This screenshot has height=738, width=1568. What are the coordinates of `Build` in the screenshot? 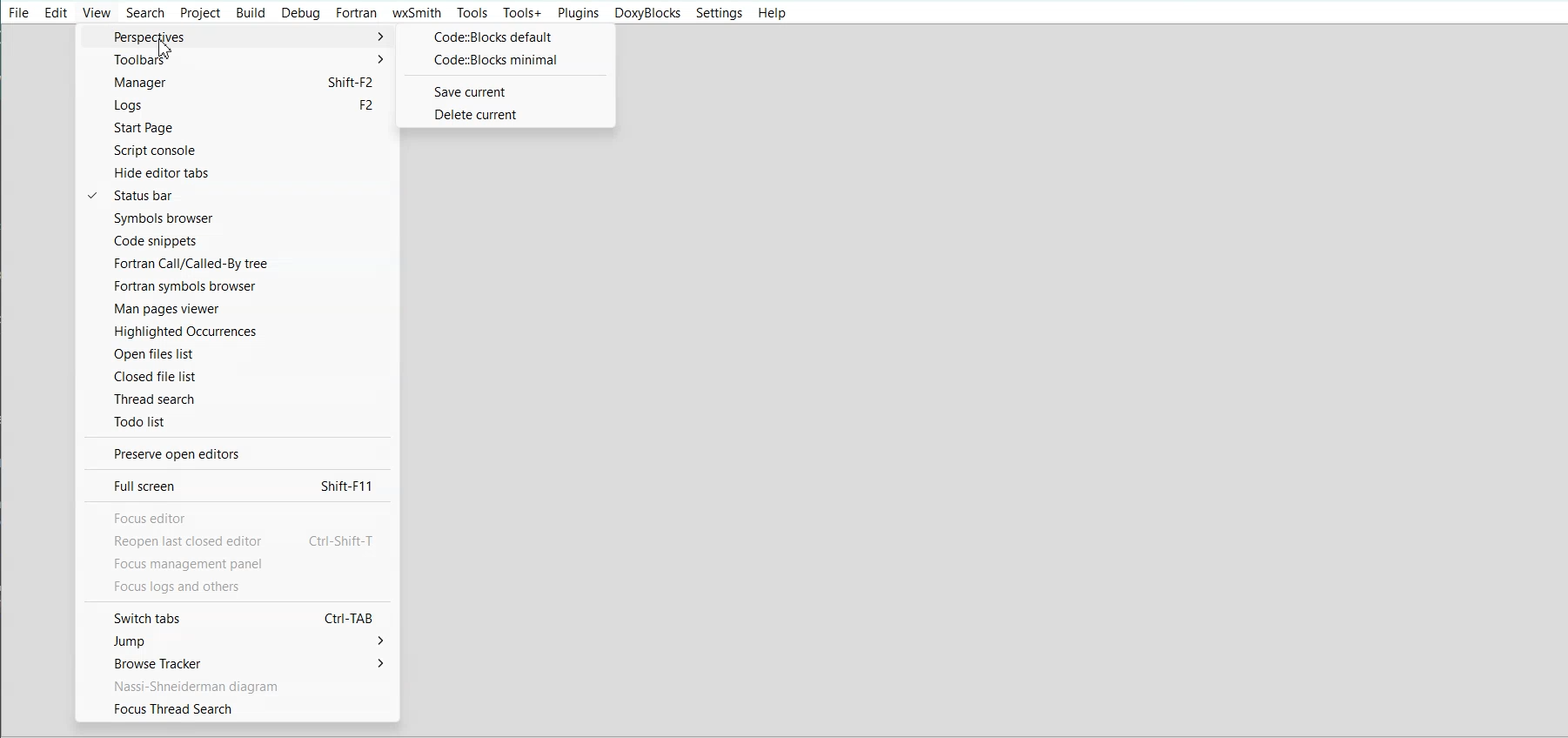 It's located at (250, 12).